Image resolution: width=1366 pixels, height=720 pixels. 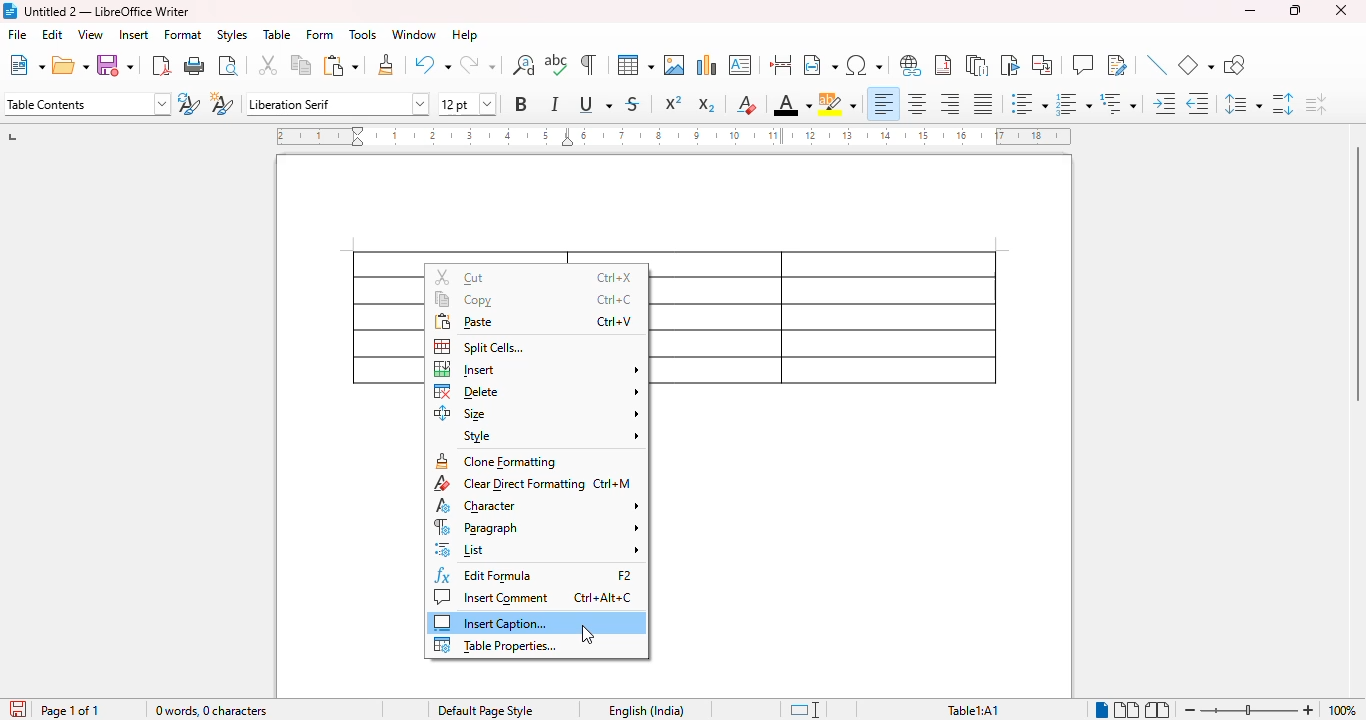 I want to click on styles, so click(x=232, y=35).